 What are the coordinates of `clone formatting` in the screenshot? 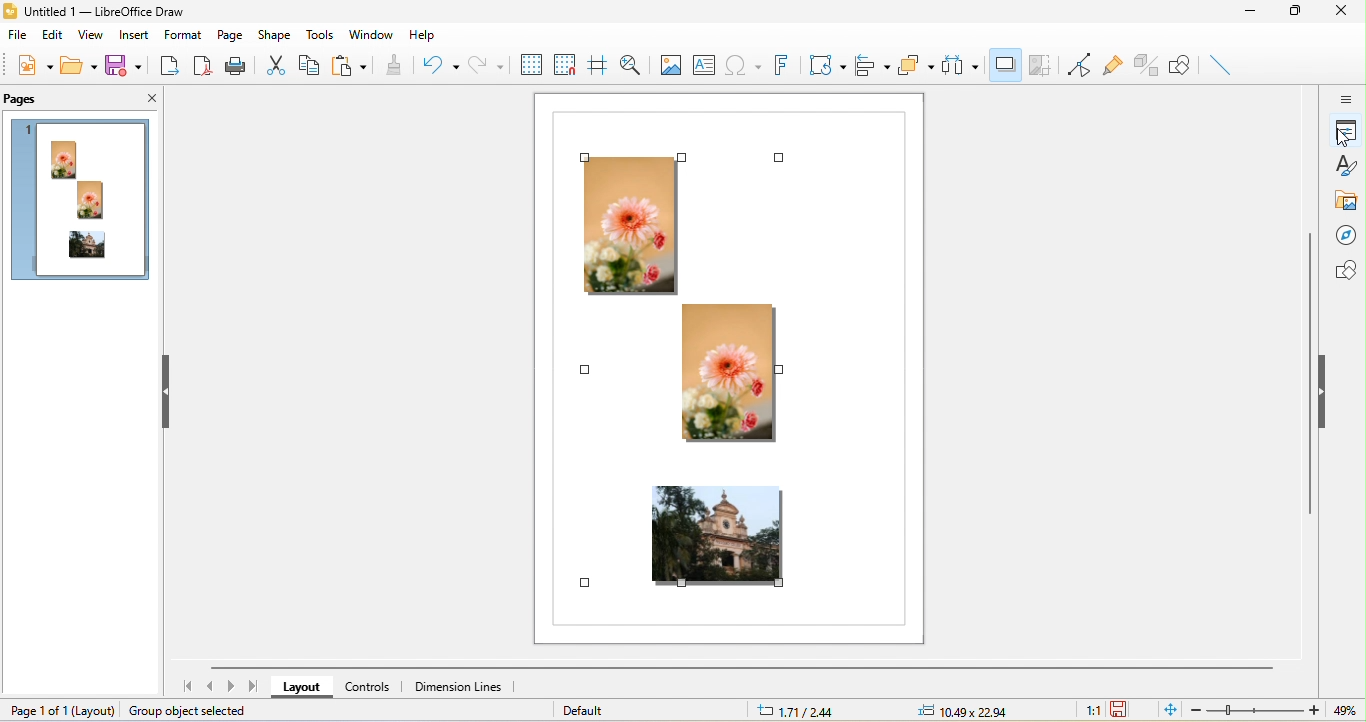 It's located at (395, 65).